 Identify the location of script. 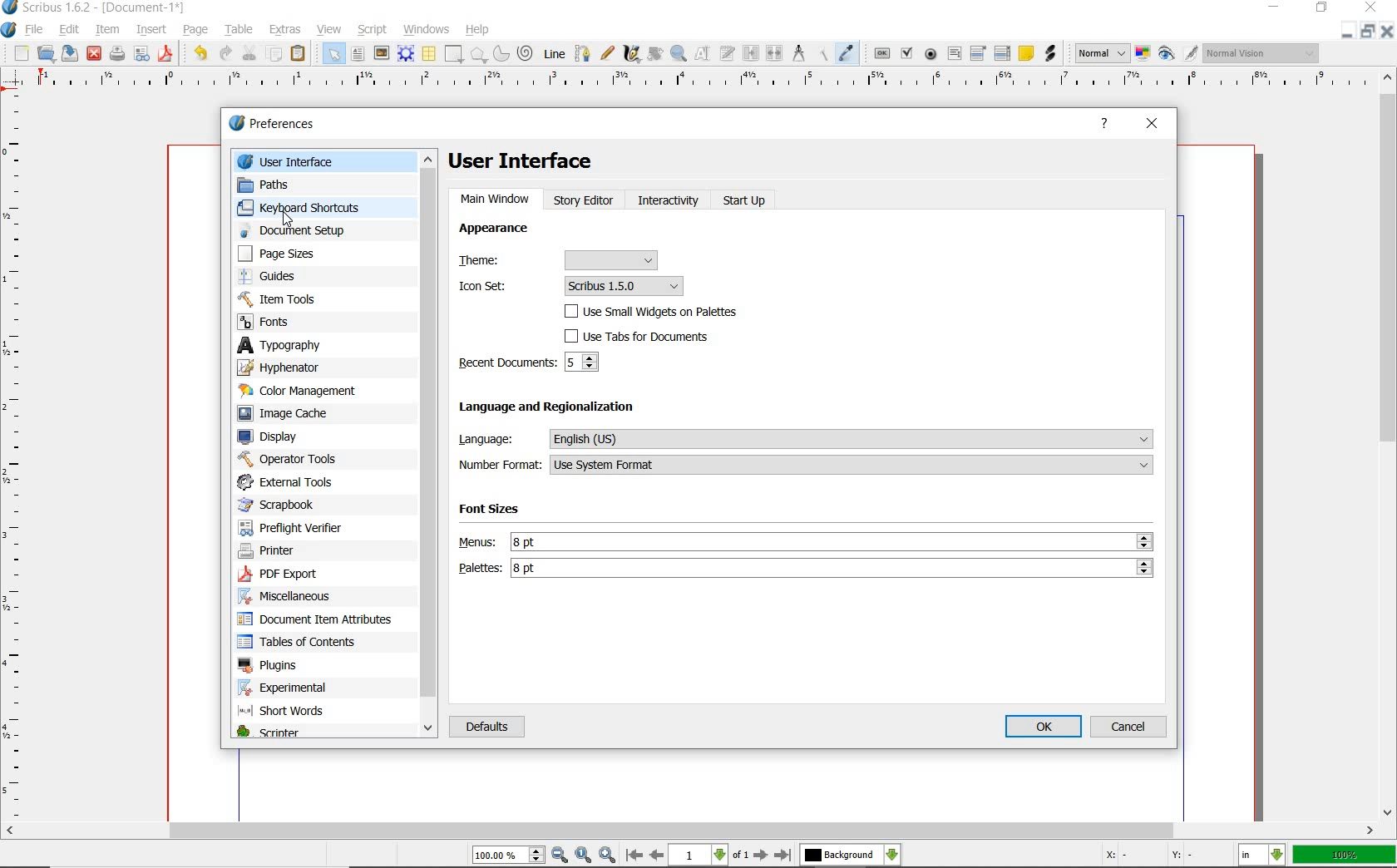
(375, 30).